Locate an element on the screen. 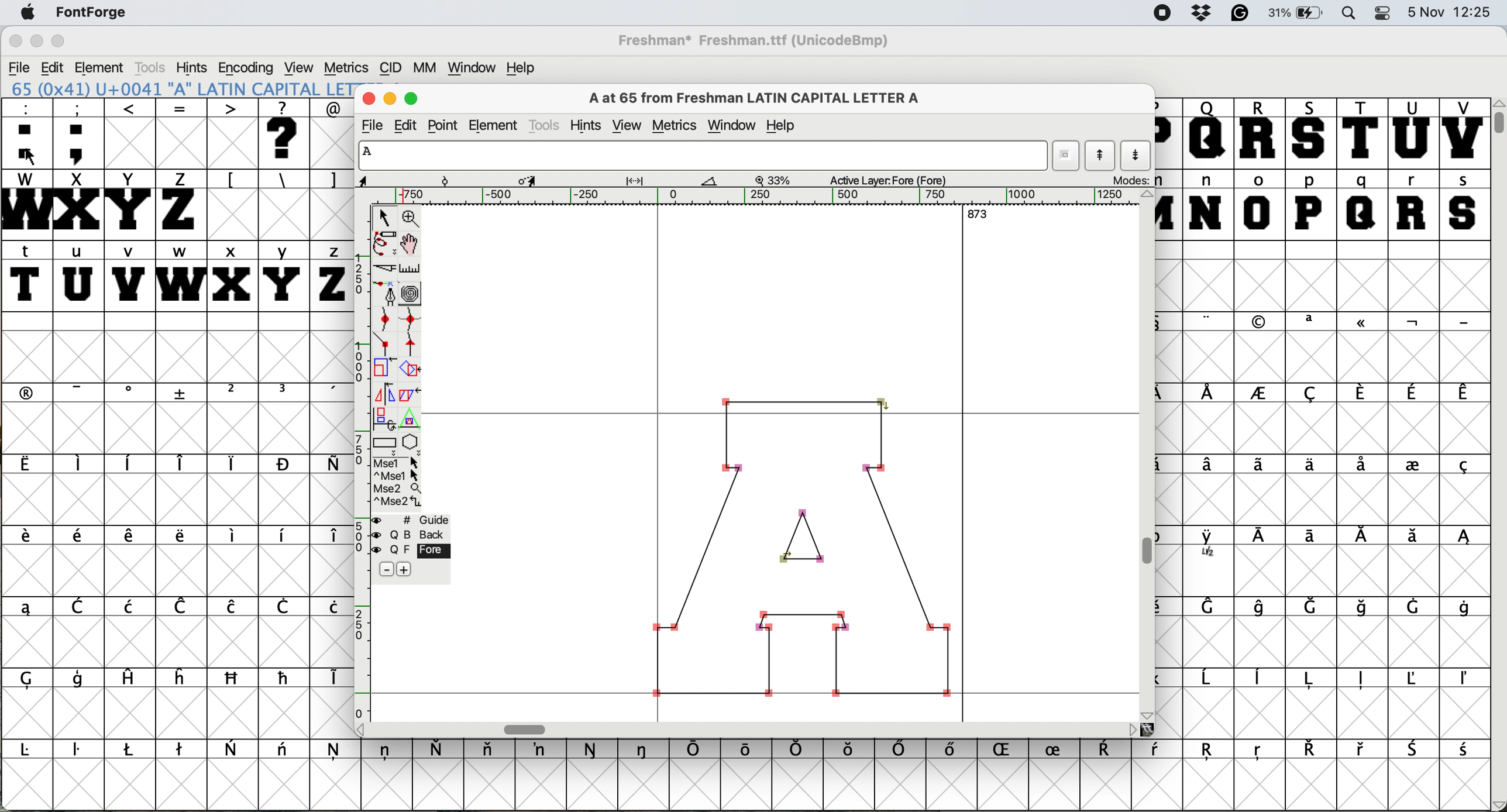 Image resolution: width=1507 pixels, height=812 pixels. symbol is located at coordinates (81, 606).